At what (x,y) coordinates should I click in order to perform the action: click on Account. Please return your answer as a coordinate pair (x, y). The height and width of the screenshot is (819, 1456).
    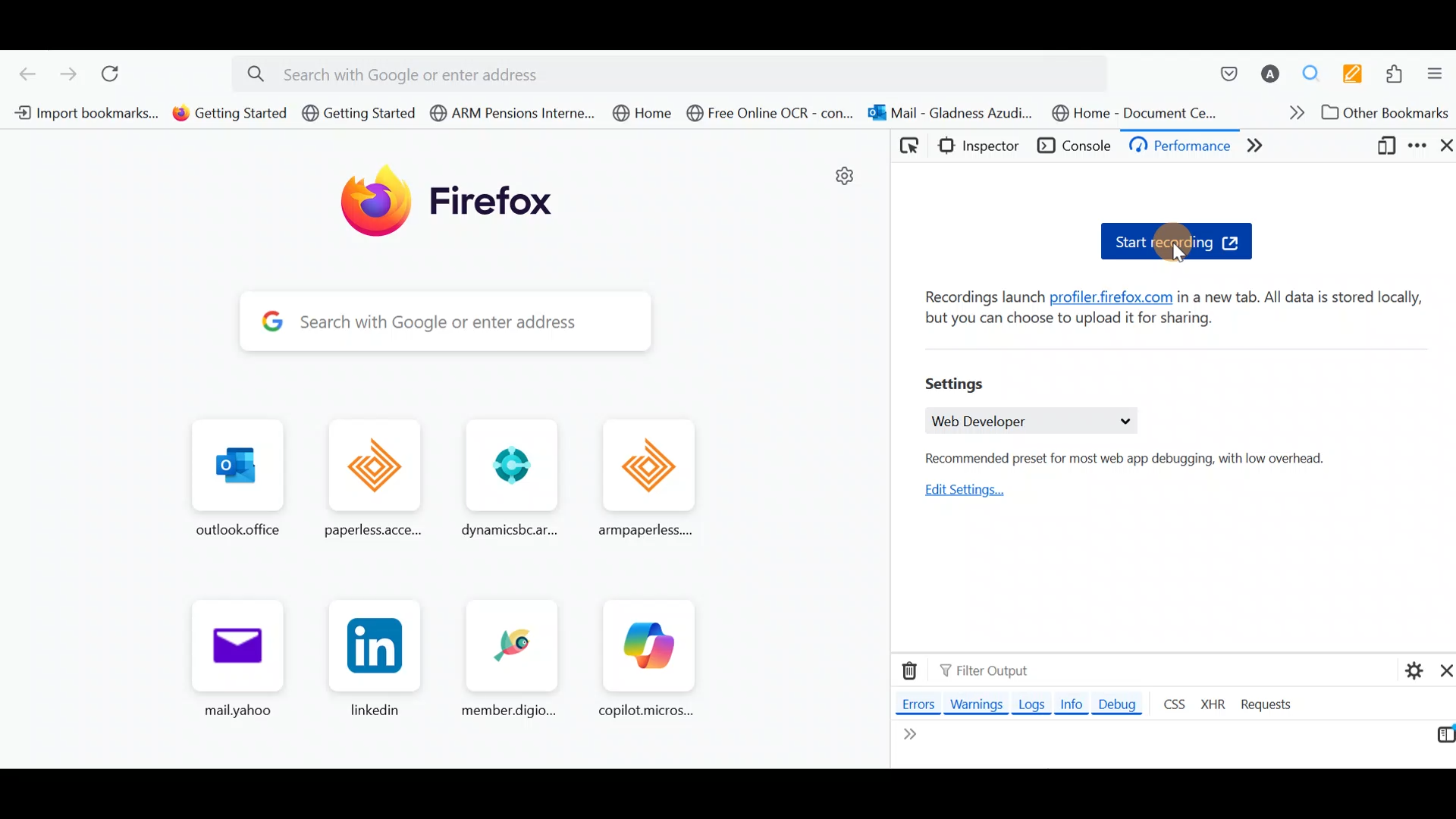
    Looking at the image, I should click on (1271, 75).